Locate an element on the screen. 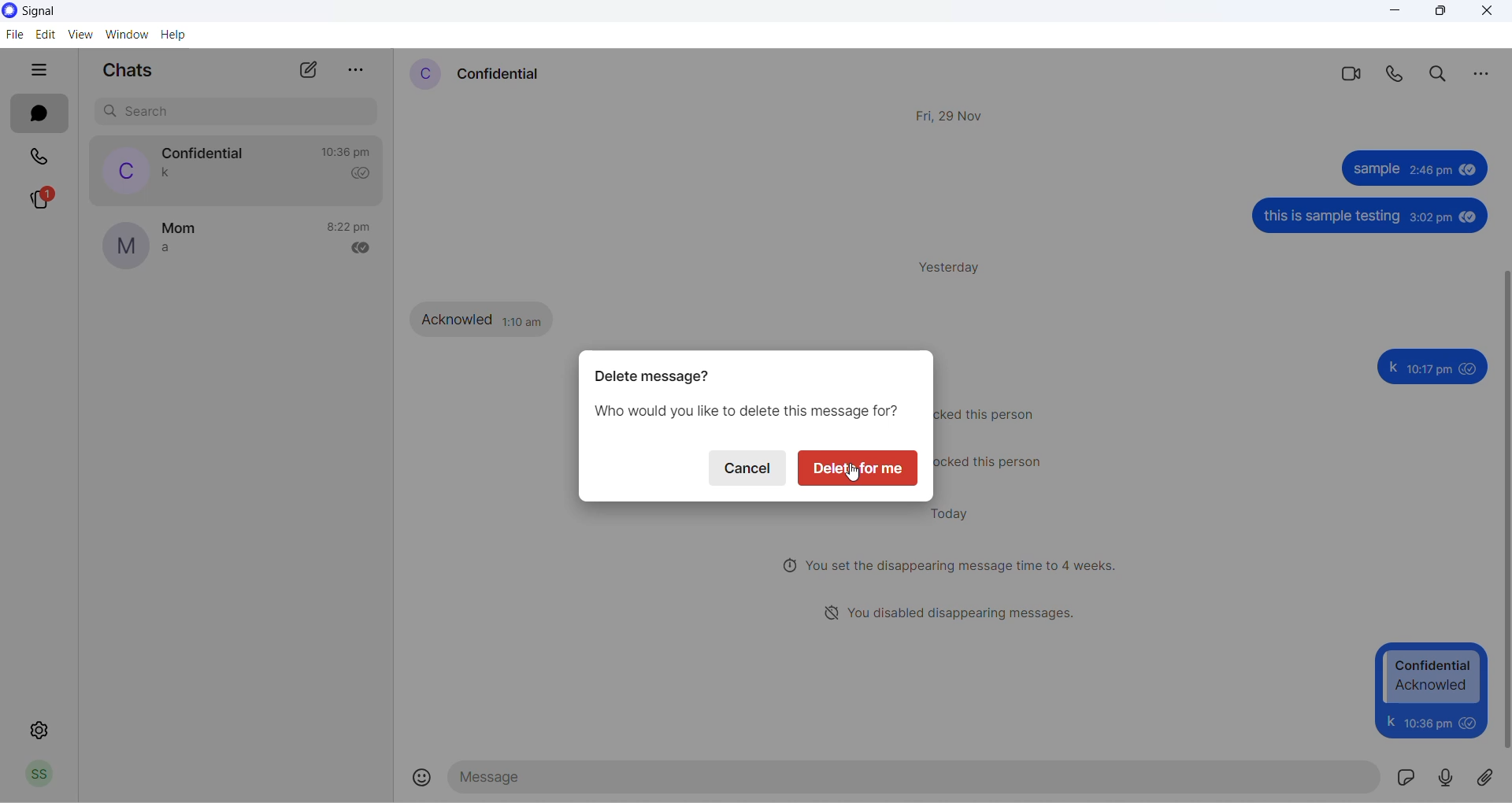 Image resolution: width=1512 pixels, height=803 pixels. maximize is located at coordinates (1438, 11).